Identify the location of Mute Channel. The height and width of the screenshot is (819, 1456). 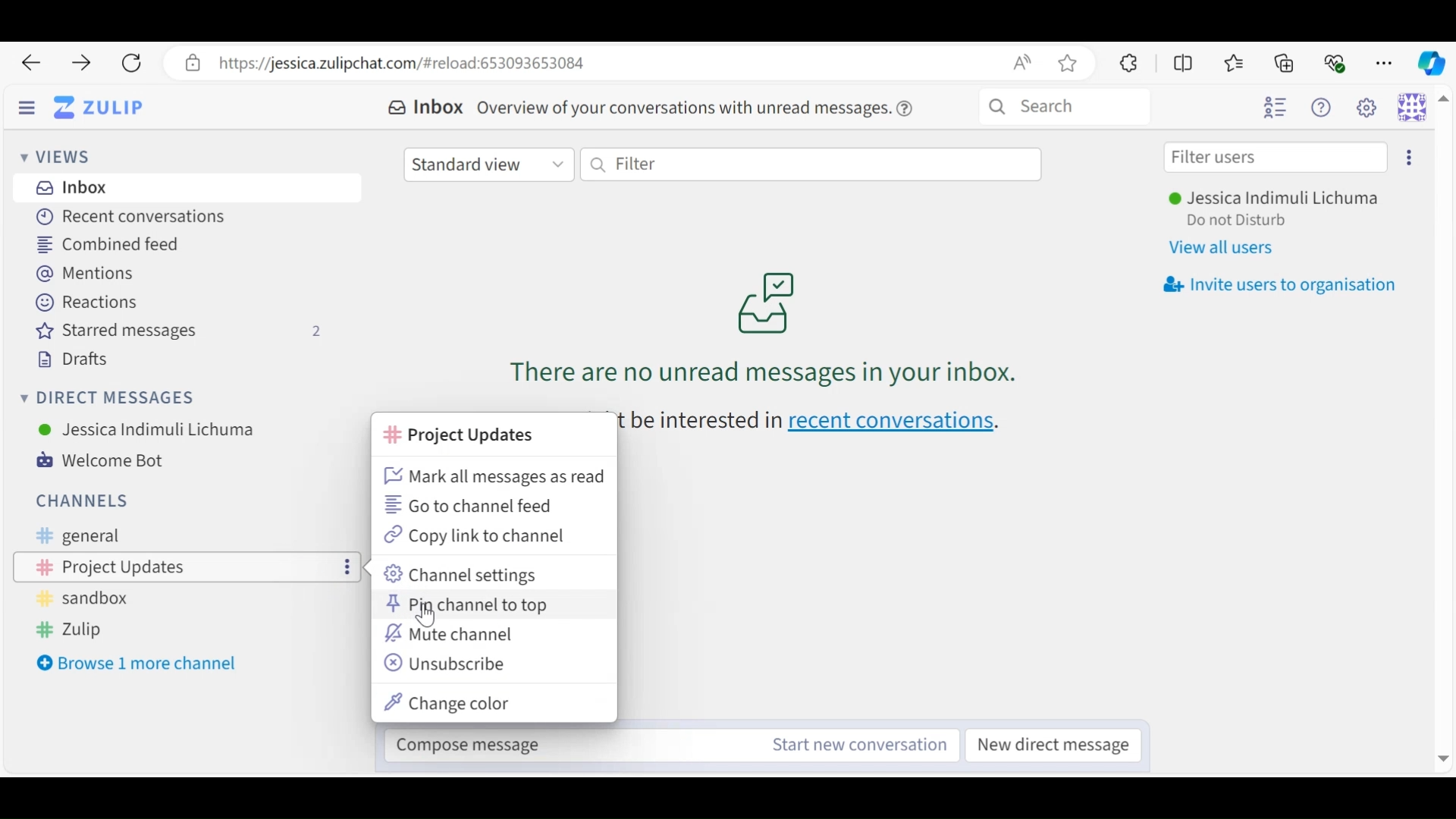
(451, 632).